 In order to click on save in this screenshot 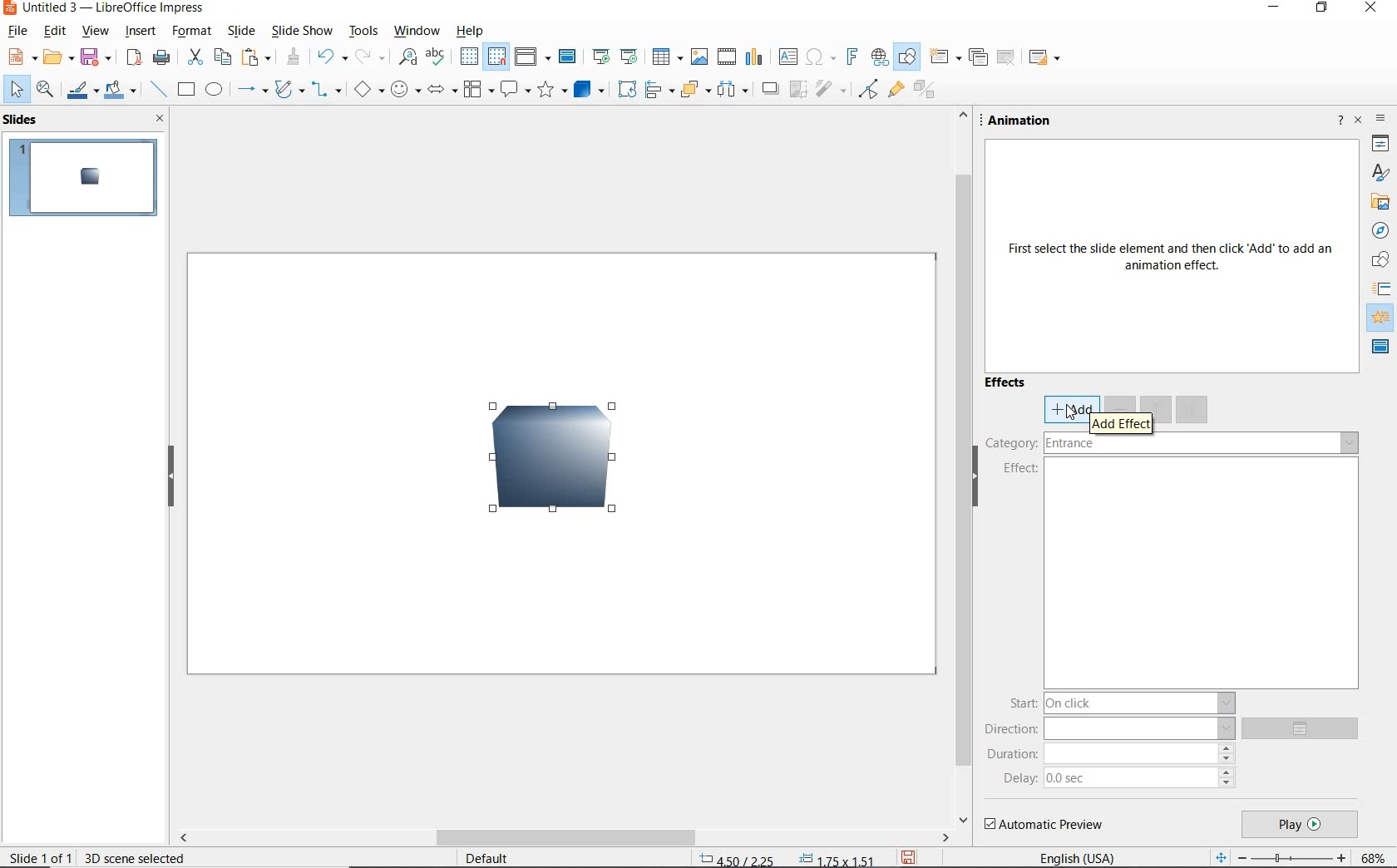, I will do `click(908, 856)`.